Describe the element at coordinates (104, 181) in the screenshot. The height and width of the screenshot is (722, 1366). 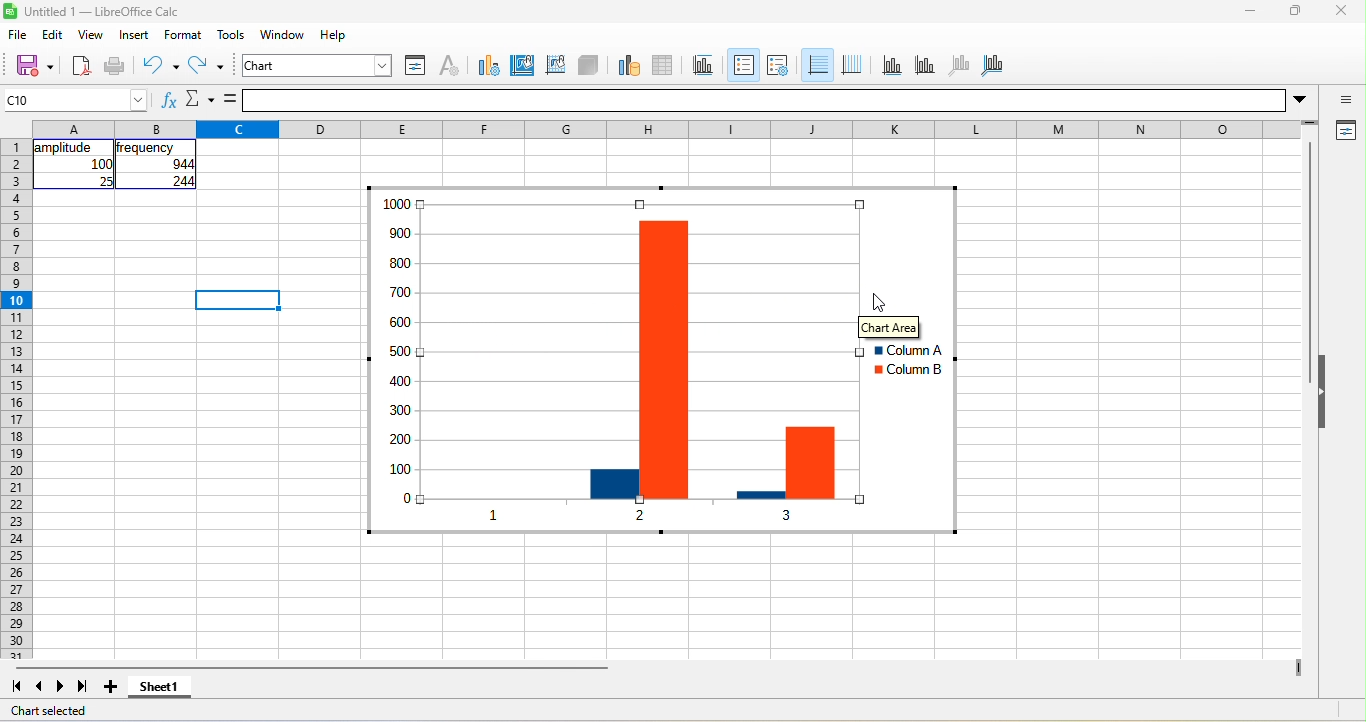
I see `25` at that location.